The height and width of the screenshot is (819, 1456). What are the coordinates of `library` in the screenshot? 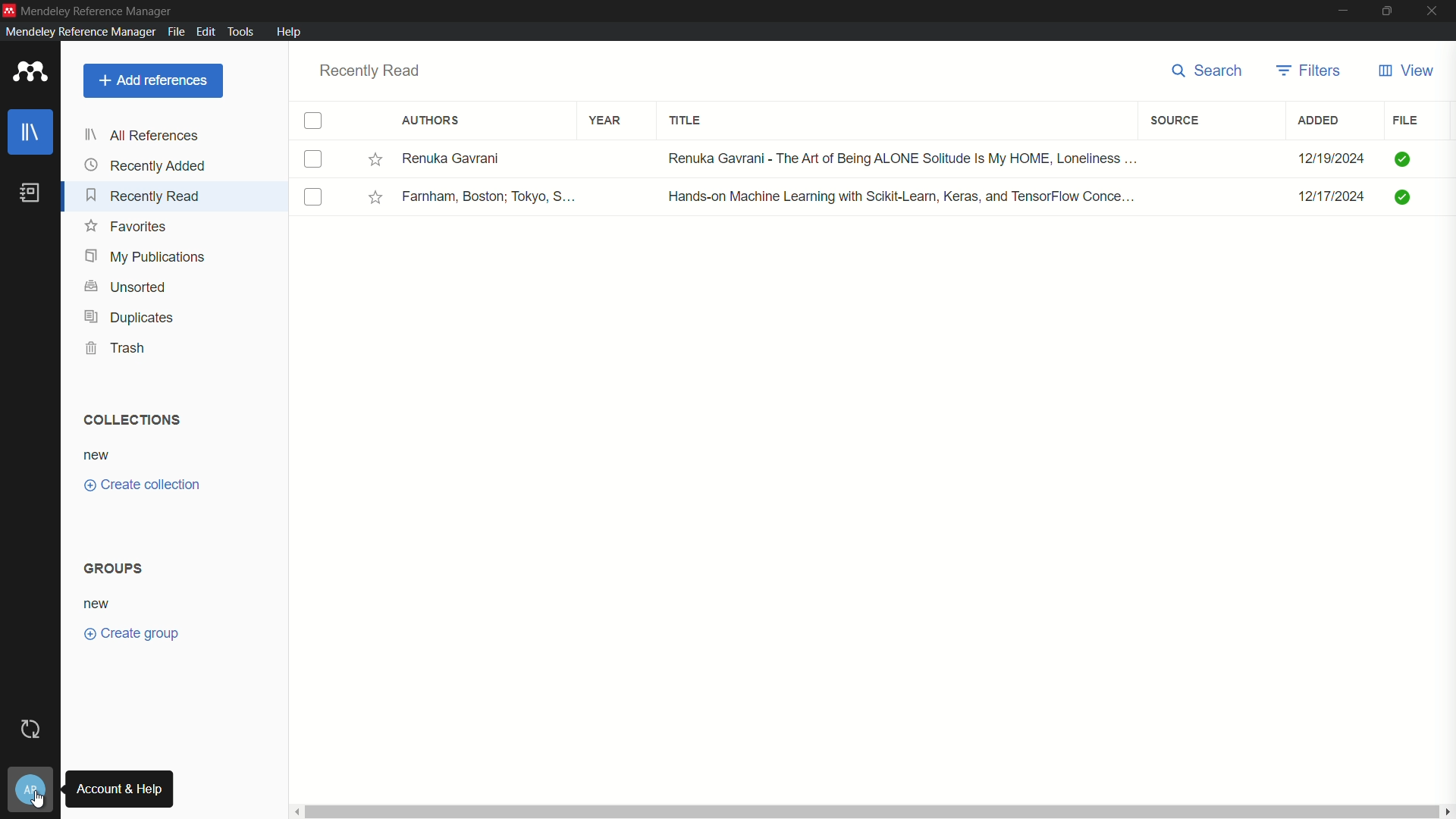 It's located at (32, 132).